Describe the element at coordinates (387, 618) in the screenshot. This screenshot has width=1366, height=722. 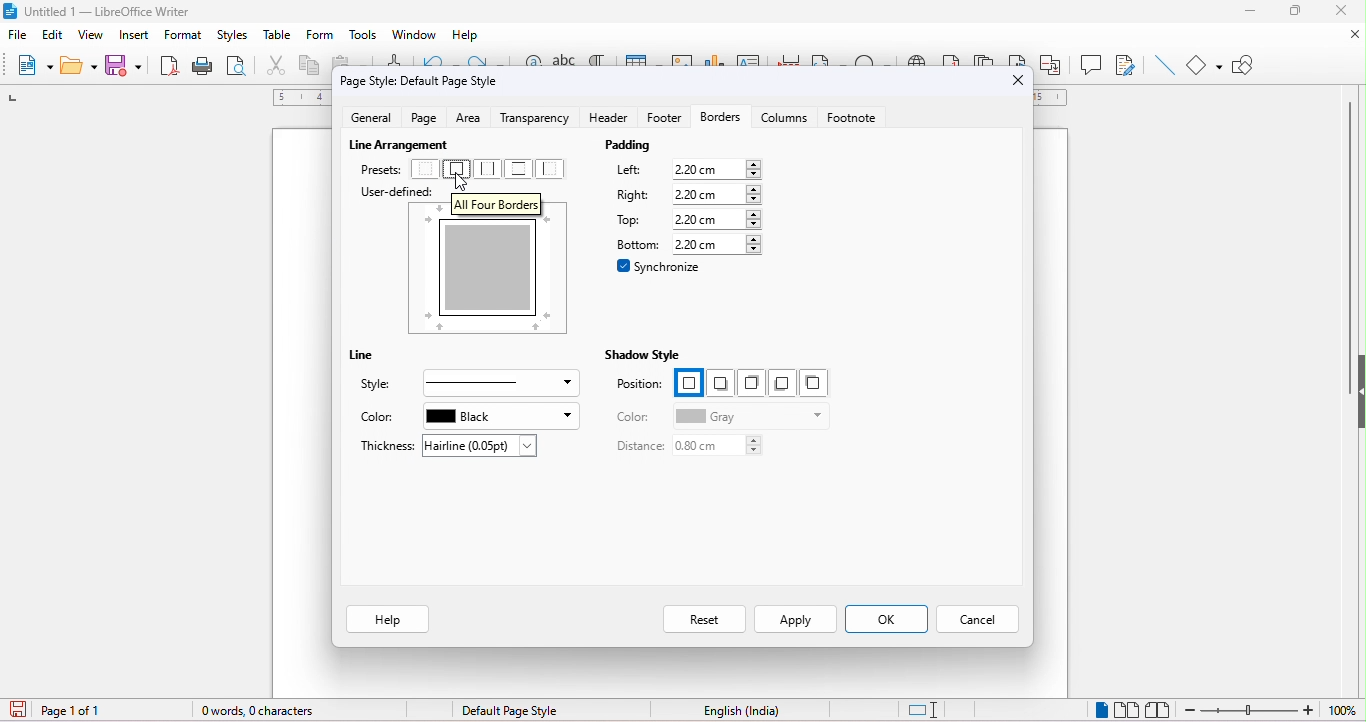
I see `help` at that location.